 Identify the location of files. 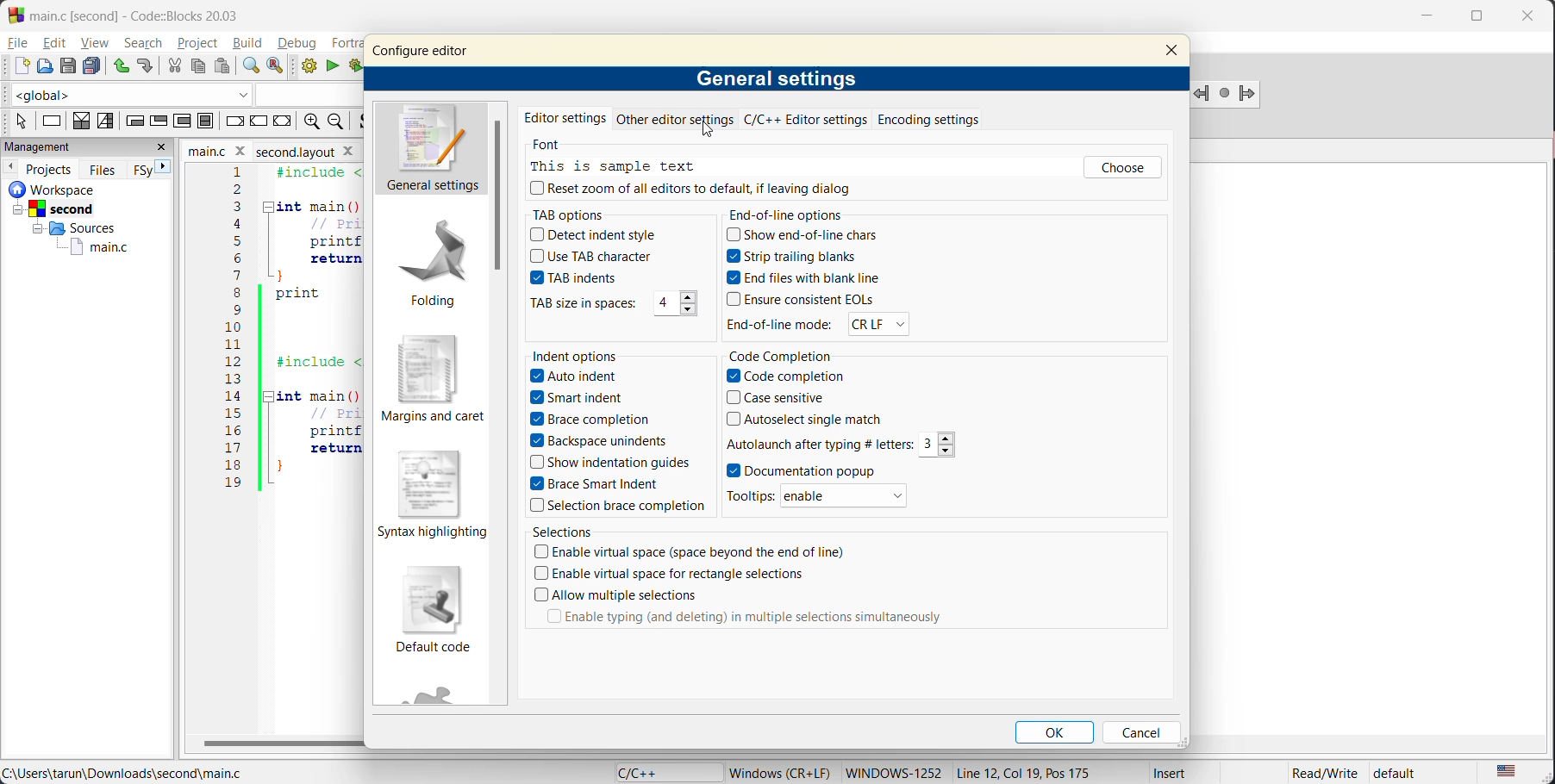
(100, 169).